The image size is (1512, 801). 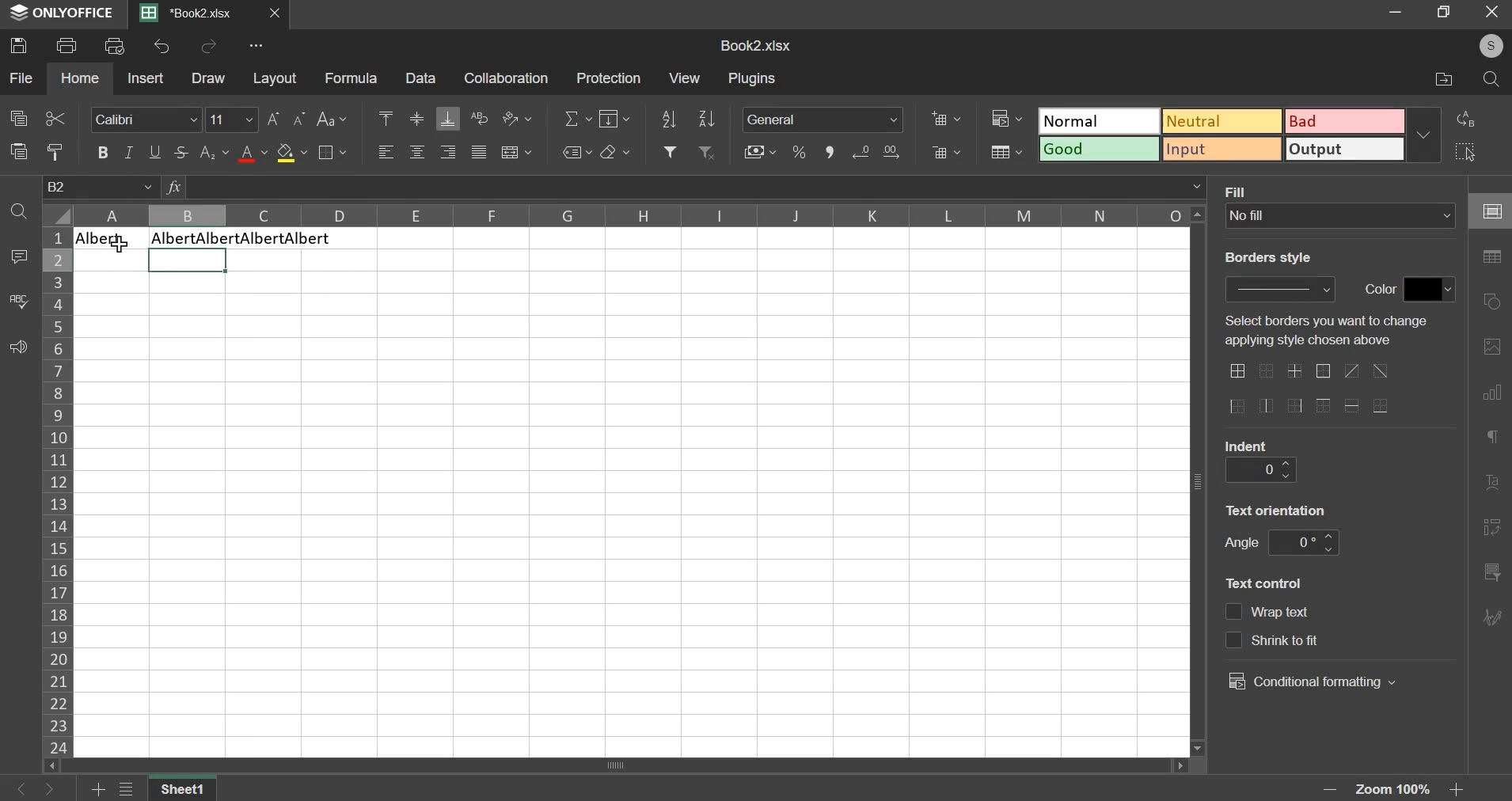 What do you see at coordinates (57, 789) in the screenshot?
I see `go forward` at bounding box center [57, 789].